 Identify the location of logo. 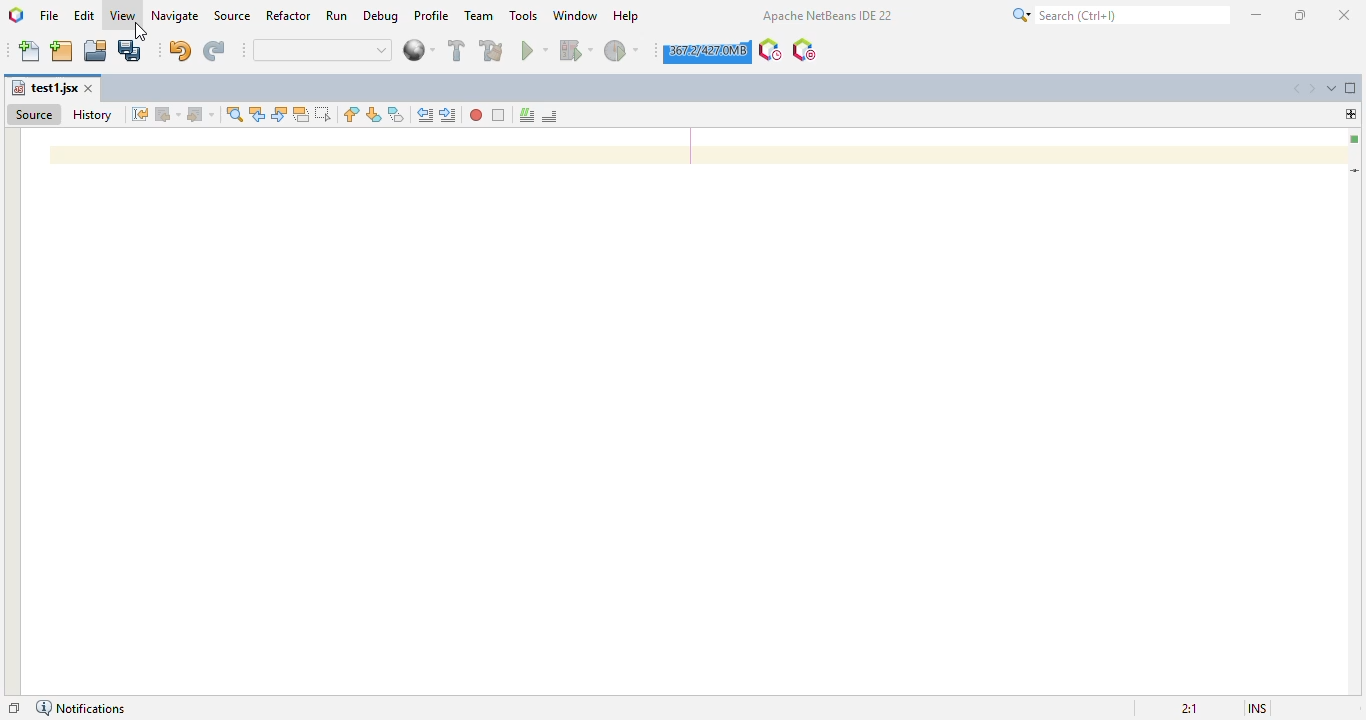
(15, 15).